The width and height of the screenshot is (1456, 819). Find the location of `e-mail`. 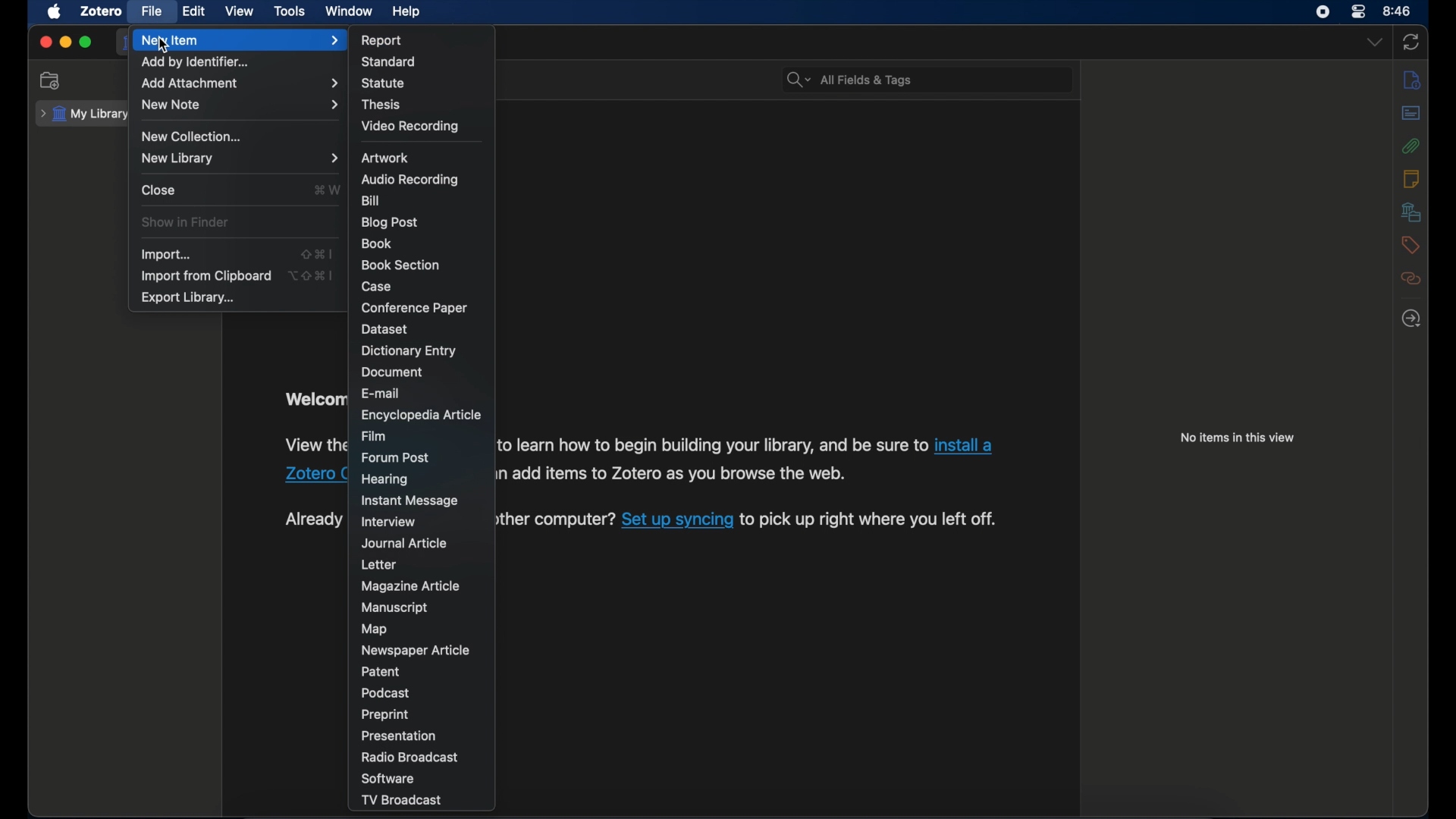

e-mail is located at coordinates (381, 393).